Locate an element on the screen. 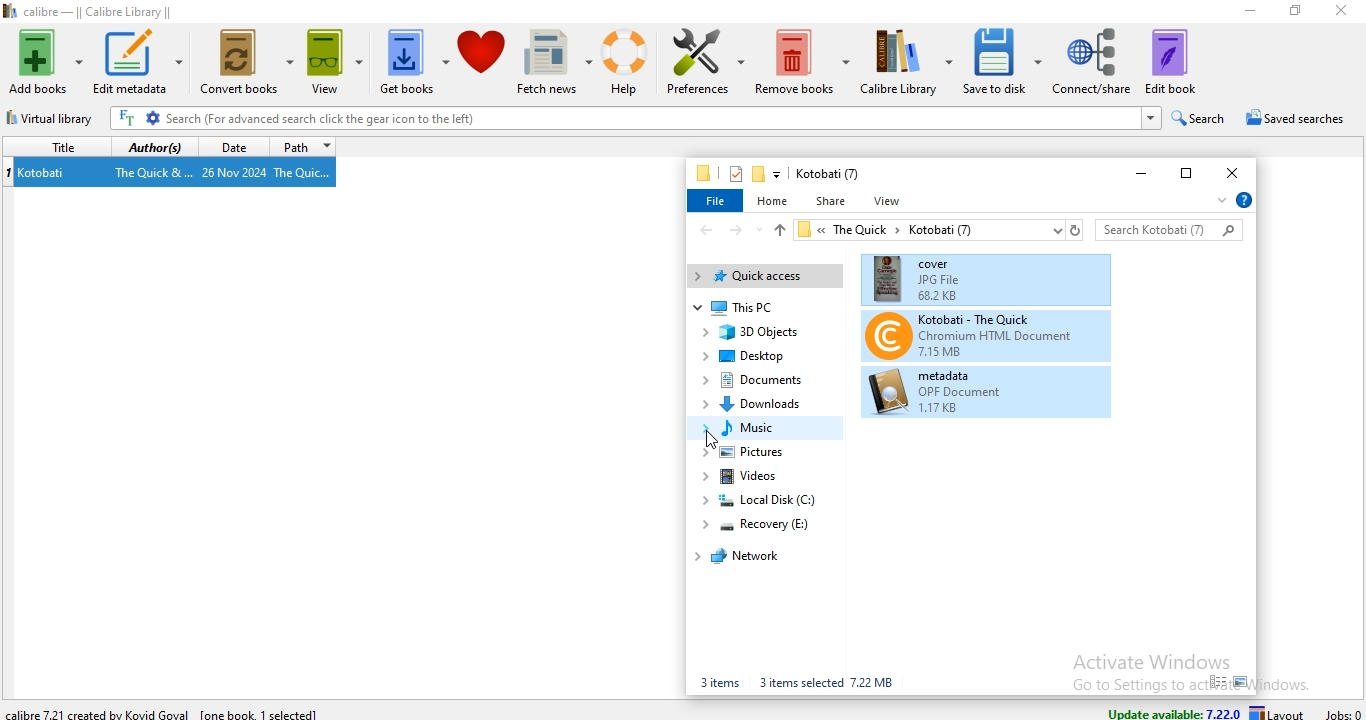  small icon view is located at coordinates (1217, 682).